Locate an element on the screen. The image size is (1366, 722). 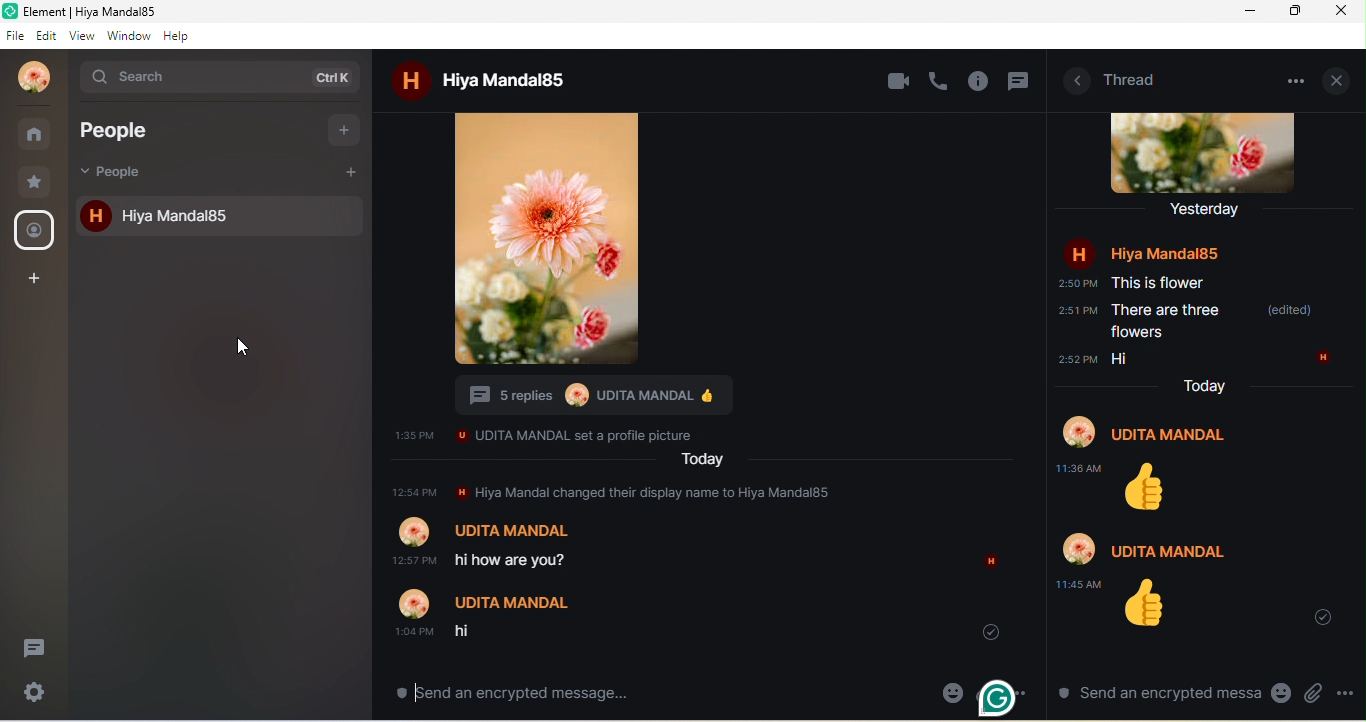
view is located at coordinates (82, 35).